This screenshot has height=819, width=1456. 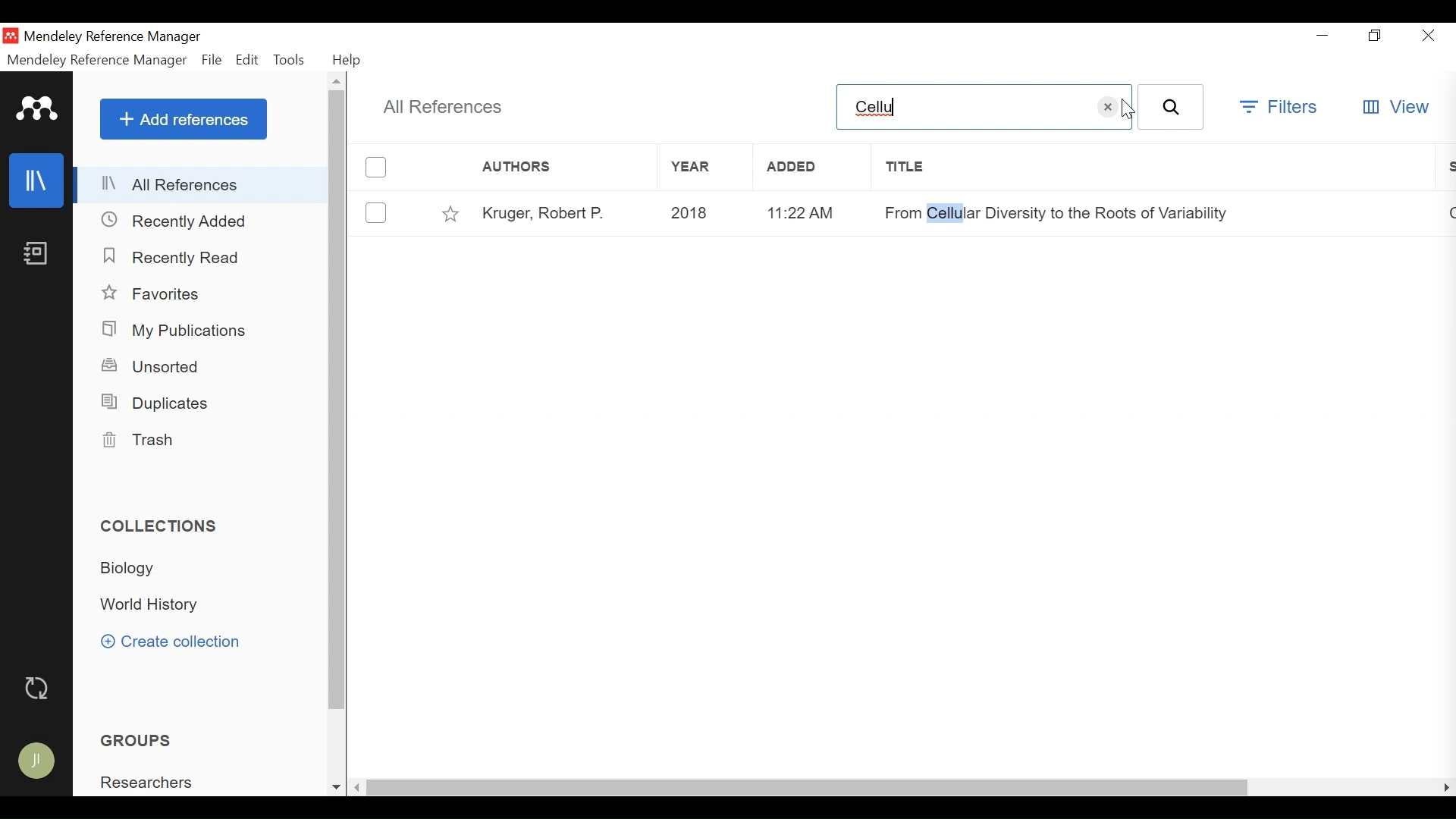 What do you see at coordinates (358, 789) in the screenshot?
I see `Scroll Left` at bounding box center [358, 789].